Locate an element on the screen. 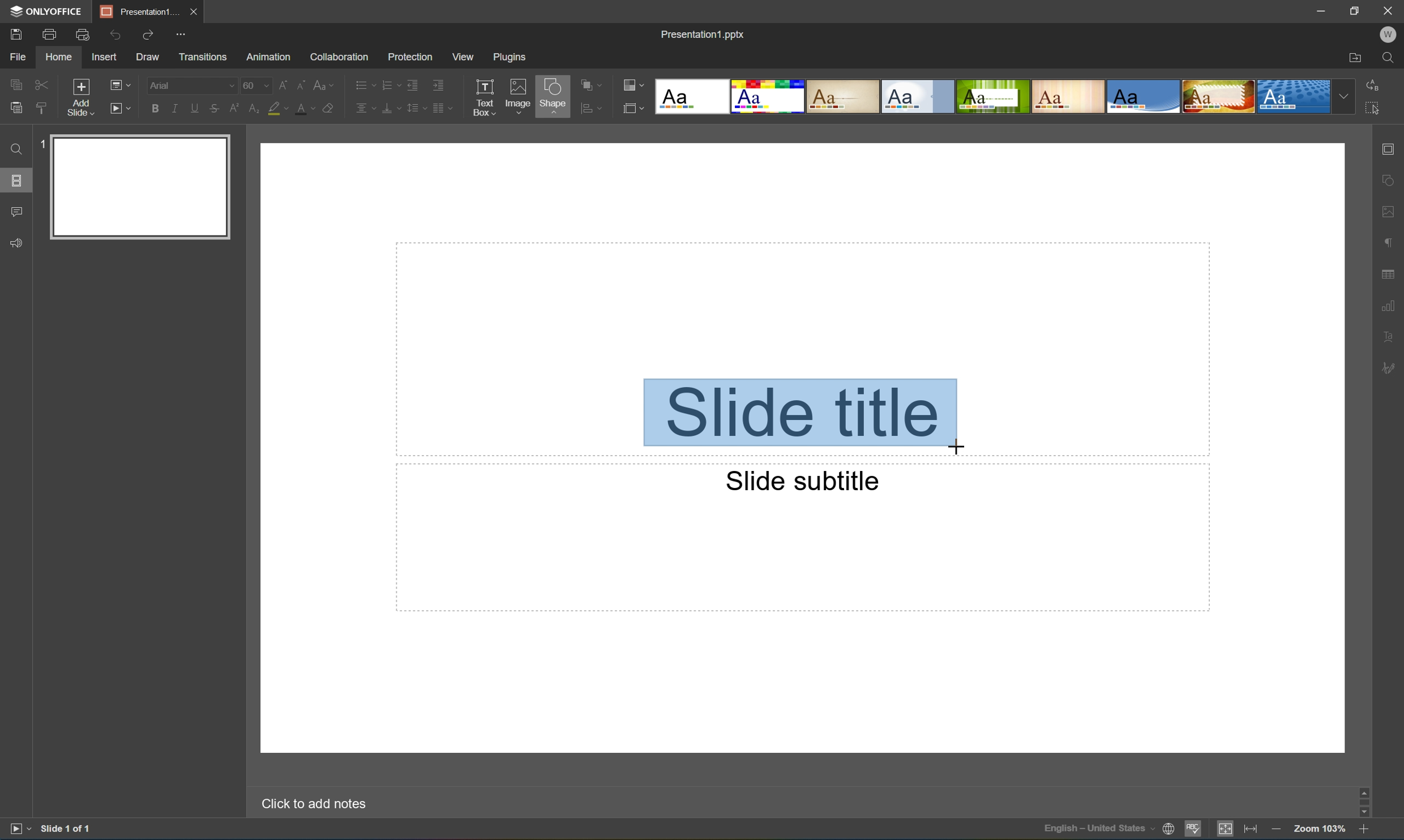 Image resolution: width=1404 pixels, height=840 pixels. Fit to slide is located at coordinates (1228, 832).